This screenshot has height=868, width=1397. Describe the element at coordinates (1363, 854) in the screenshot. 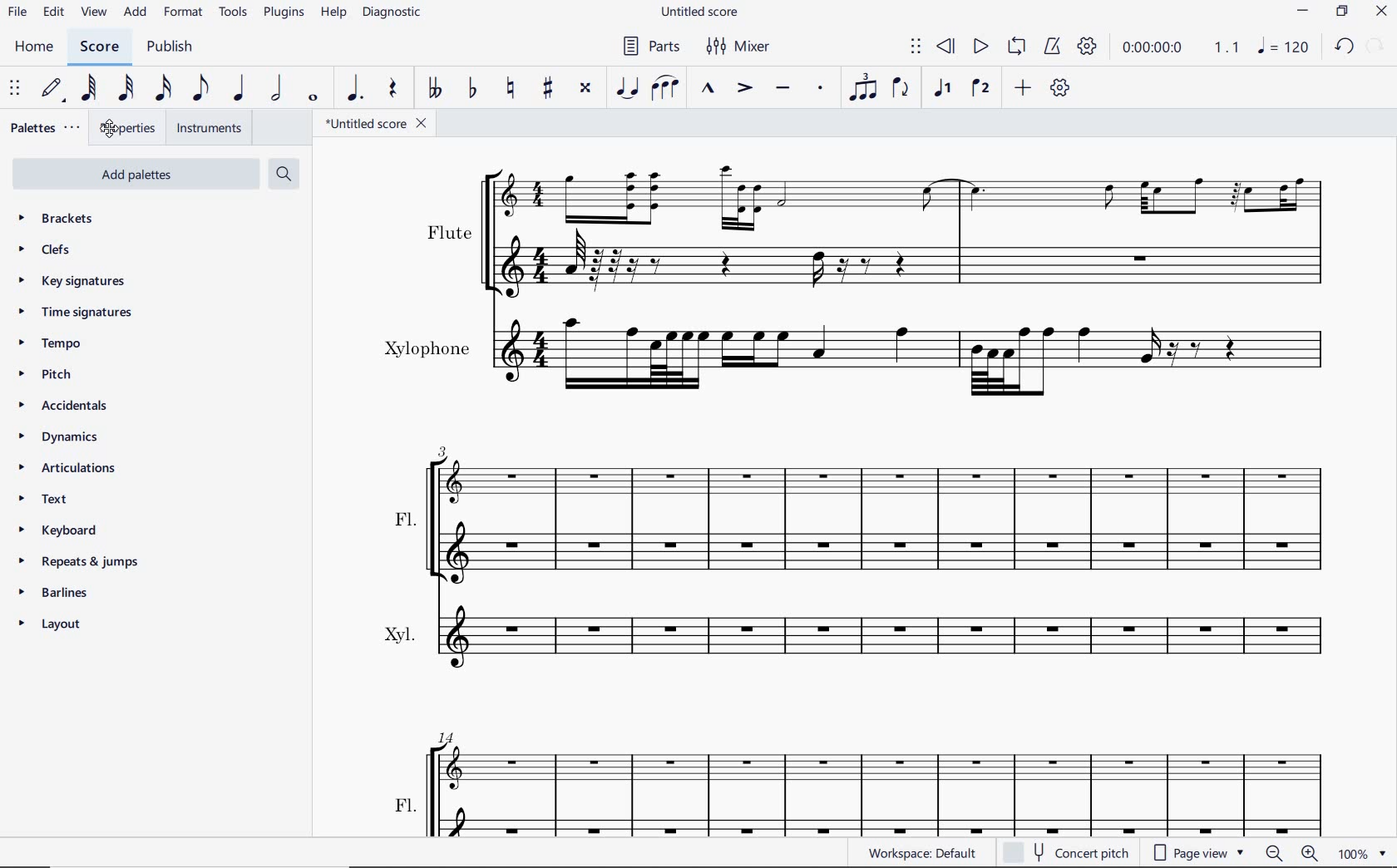

I see `zoom factor` at that location.